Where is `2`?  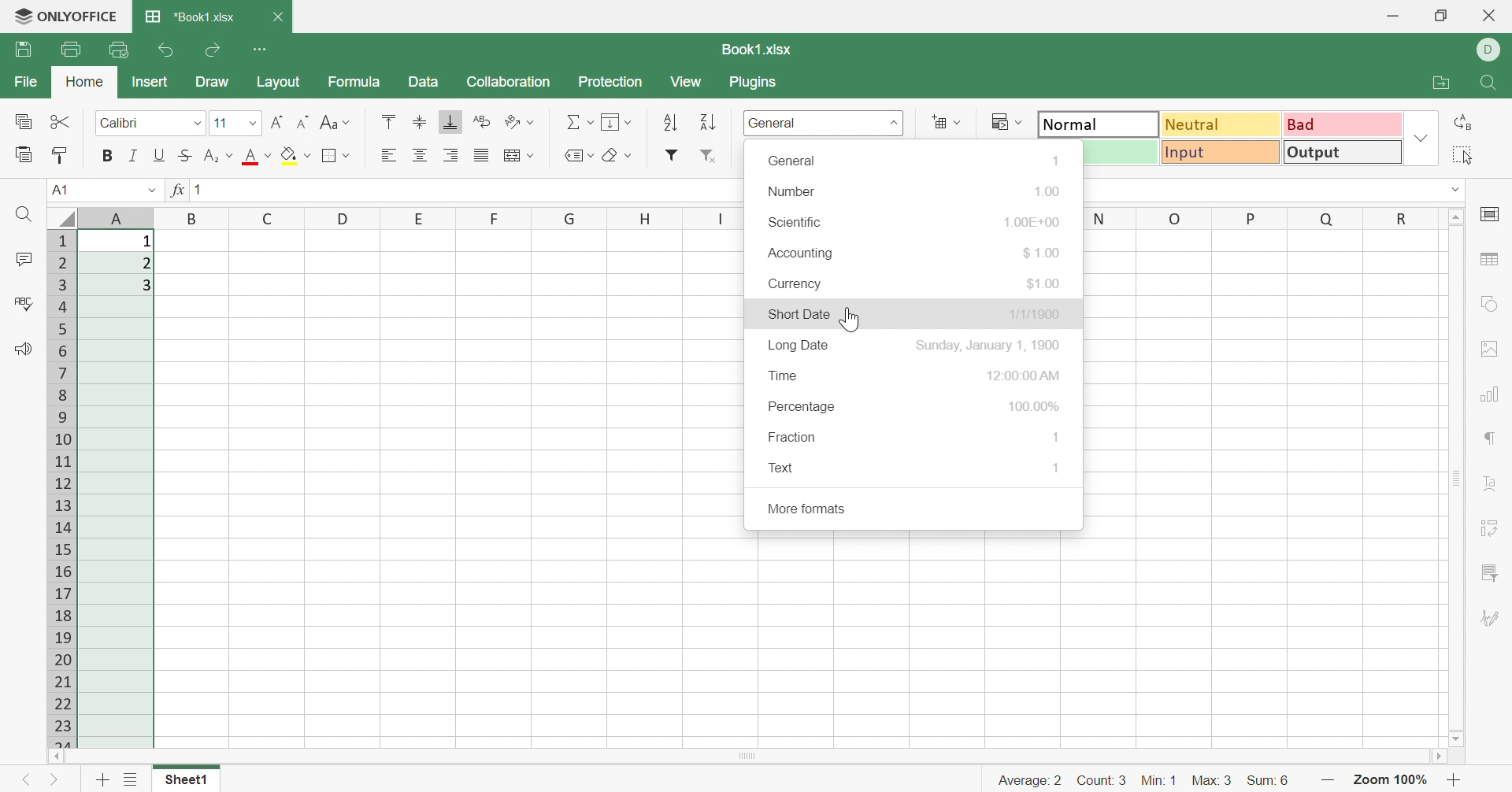
2 is located at coordinates (144, 264).